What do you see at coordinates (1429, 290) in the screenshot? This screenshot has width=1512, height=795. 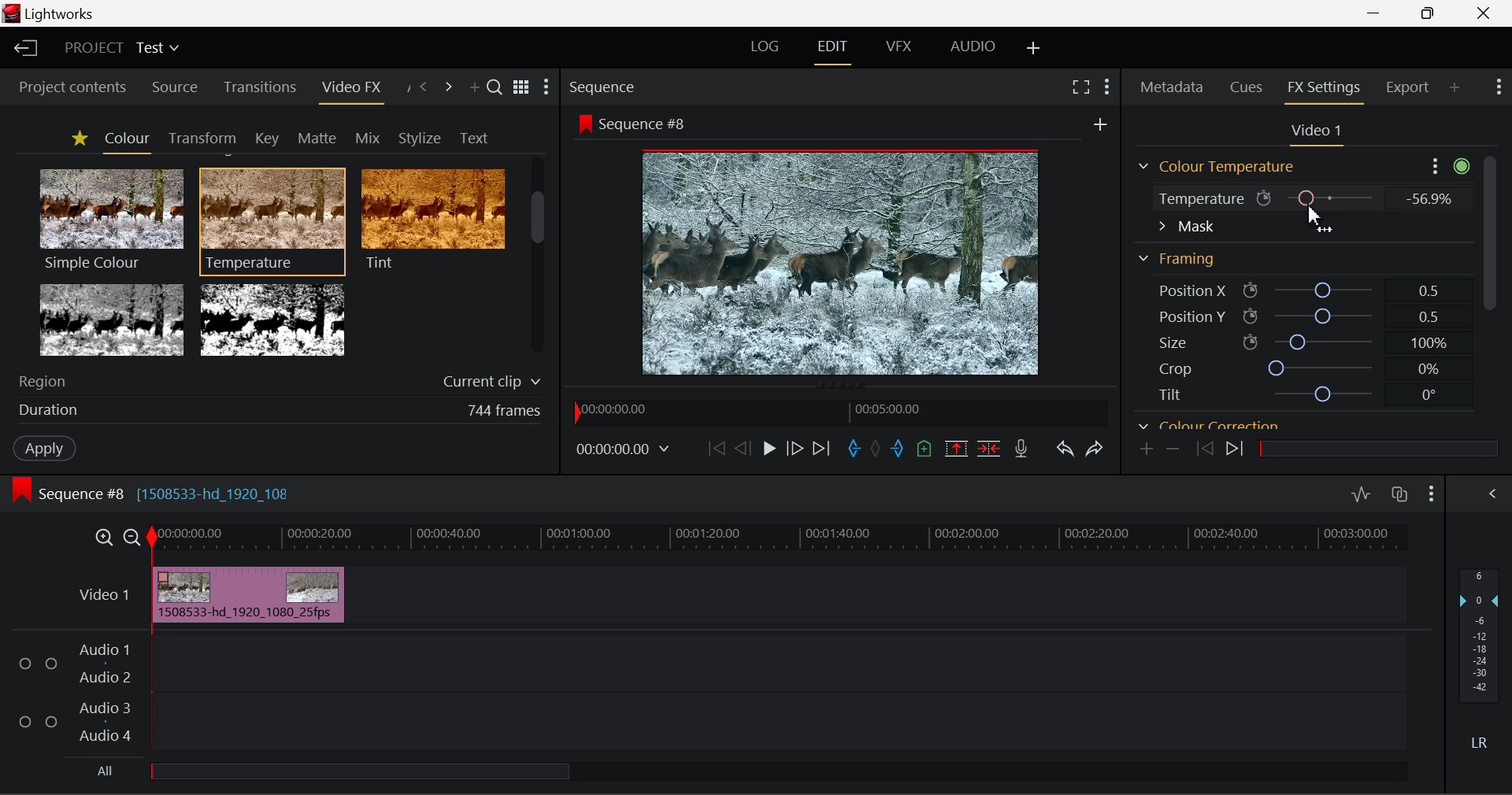 I see `0.5` at bounding box center [1429, 290].